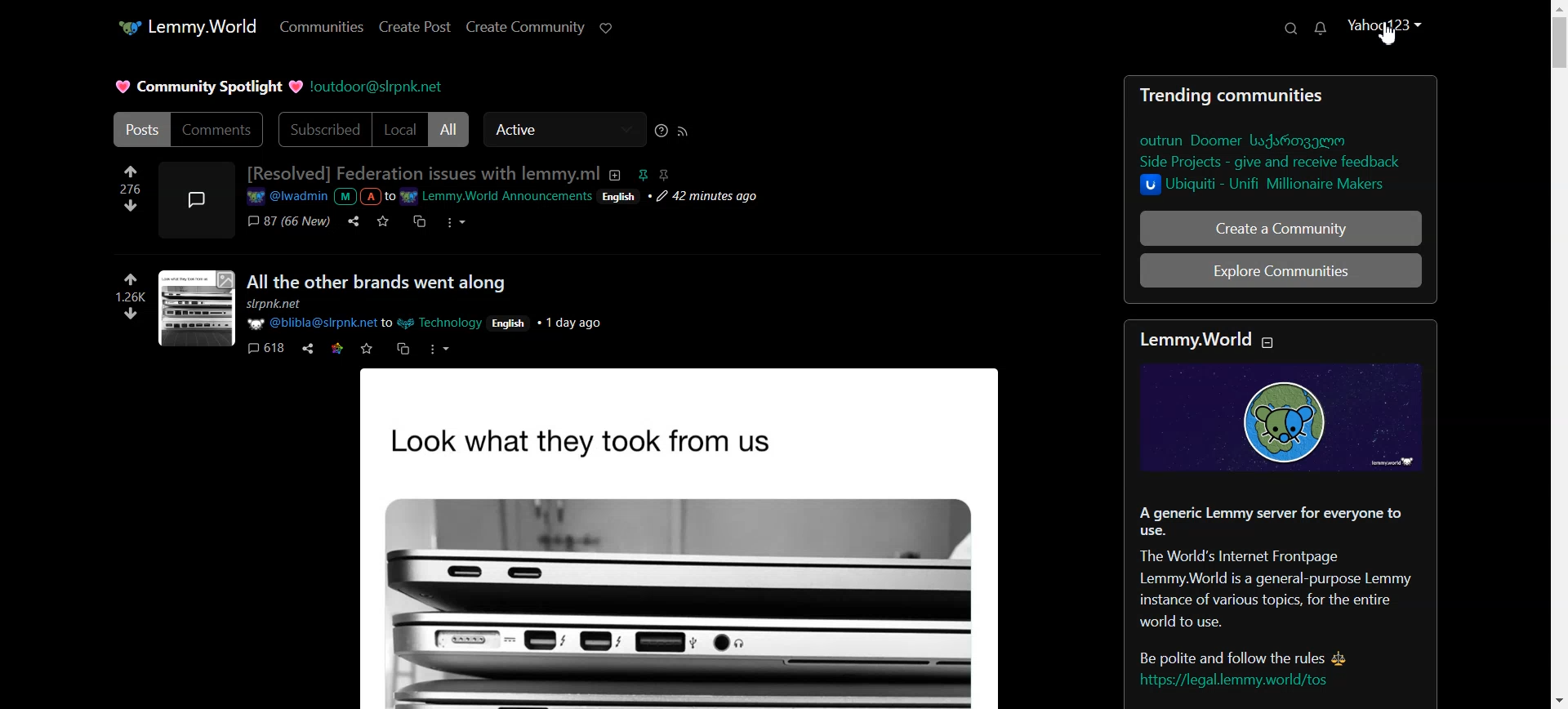 The height and width of the screenshot is (709, 1568). Describe the element at coordinates (381, 221) in the screenshot. I see `Save` at that location.